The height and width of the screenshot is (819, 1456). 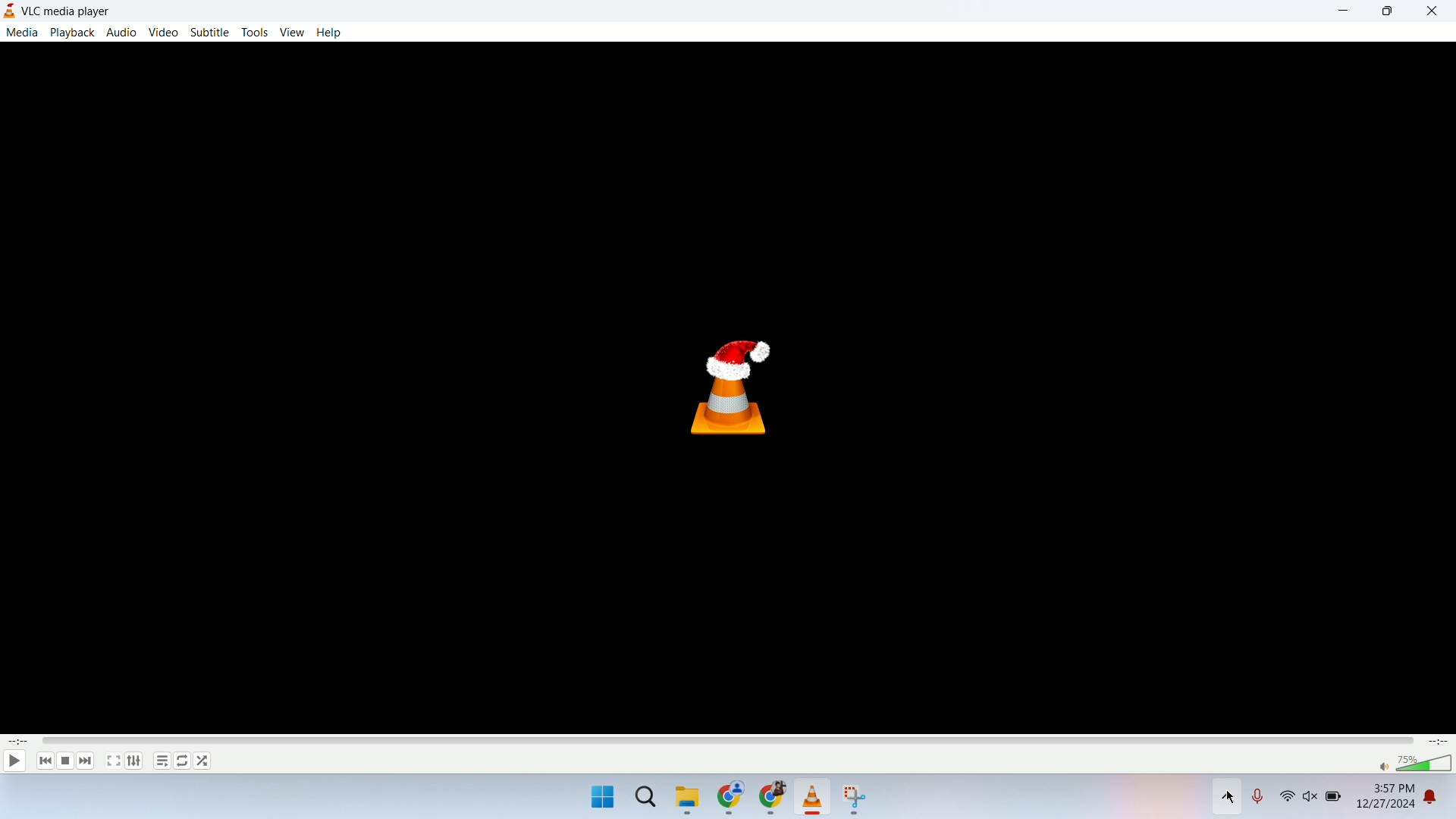 I want to click on application icon, so click(x=11, y=11).